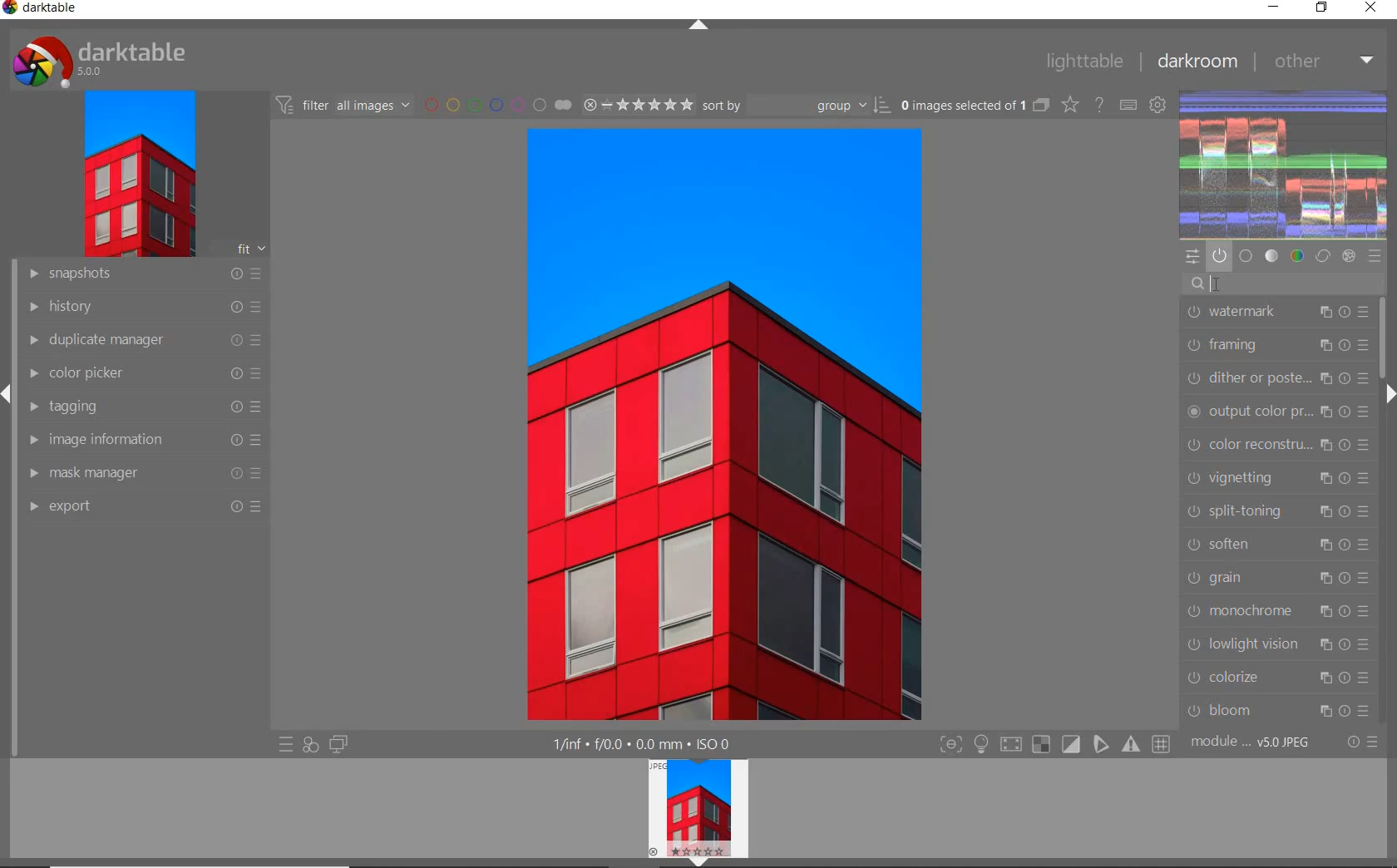  What do you see at coordinates (286, 746) in the screenshot?
I see `quick access to presets` at bounding box center [286, 746].